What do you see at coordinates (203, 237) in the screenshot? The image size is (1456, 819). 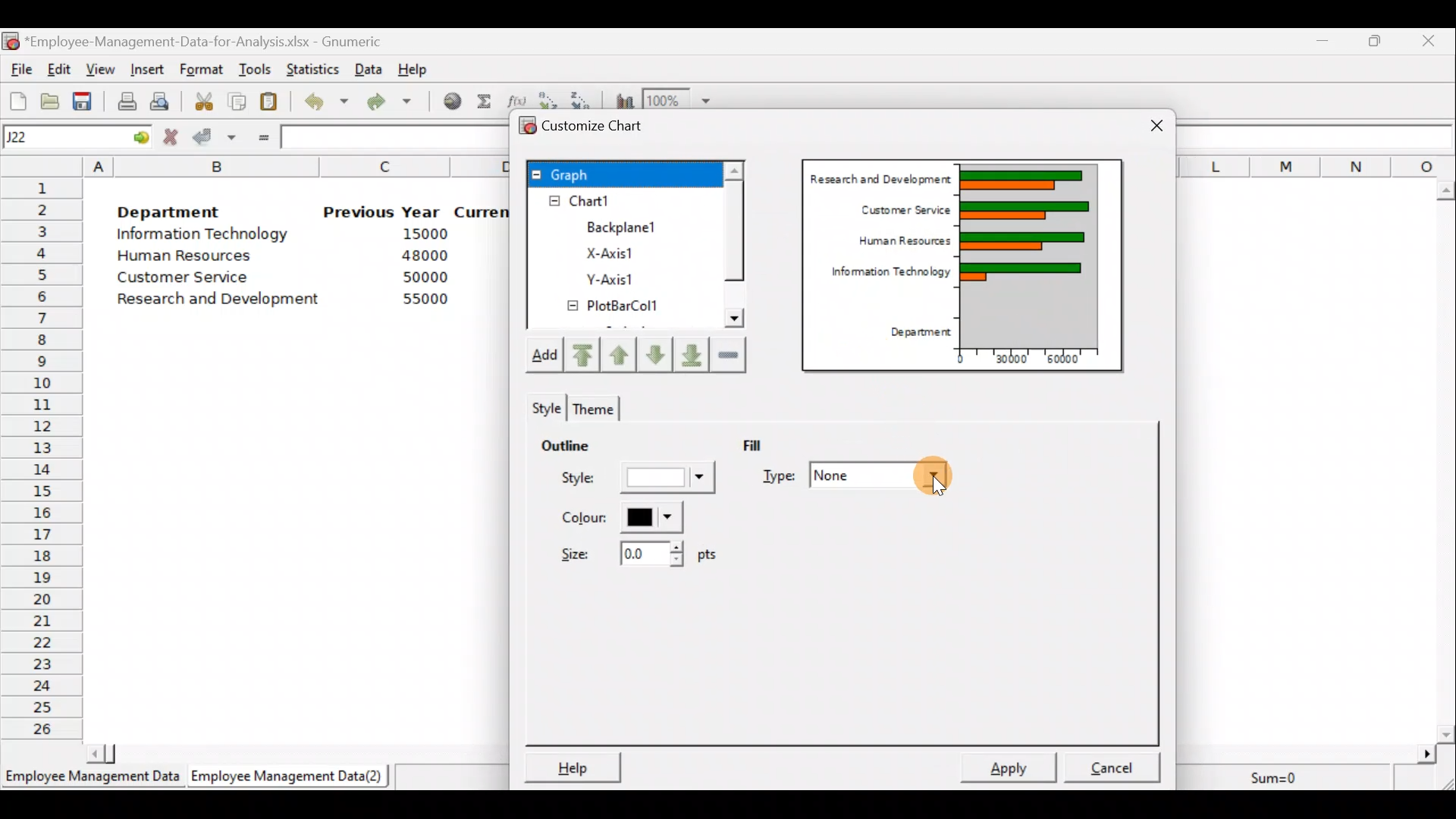 I see `Information Technology` at bounding box center [203, 237].